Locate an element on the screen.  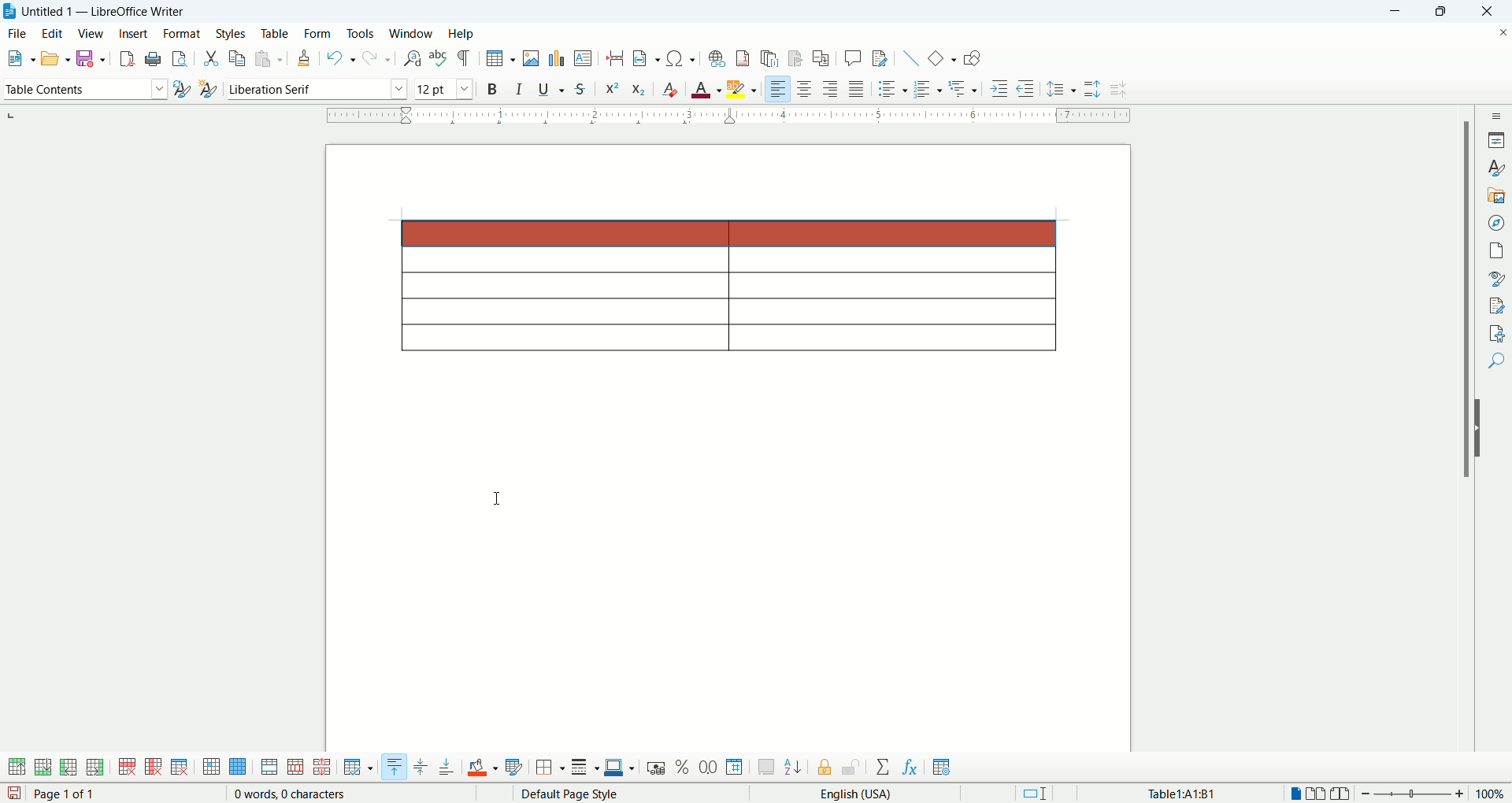
basic shapes is located at coordinates (941, 57).